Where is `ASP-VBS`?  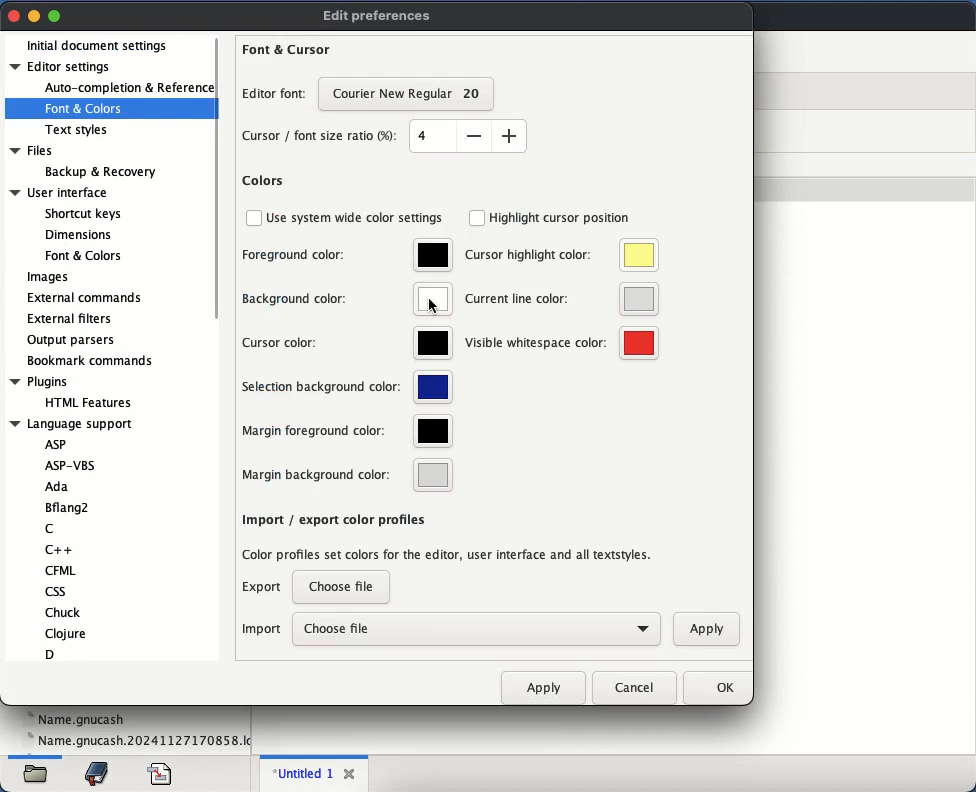 ASP-VBS is located at coordinates (72, 464).